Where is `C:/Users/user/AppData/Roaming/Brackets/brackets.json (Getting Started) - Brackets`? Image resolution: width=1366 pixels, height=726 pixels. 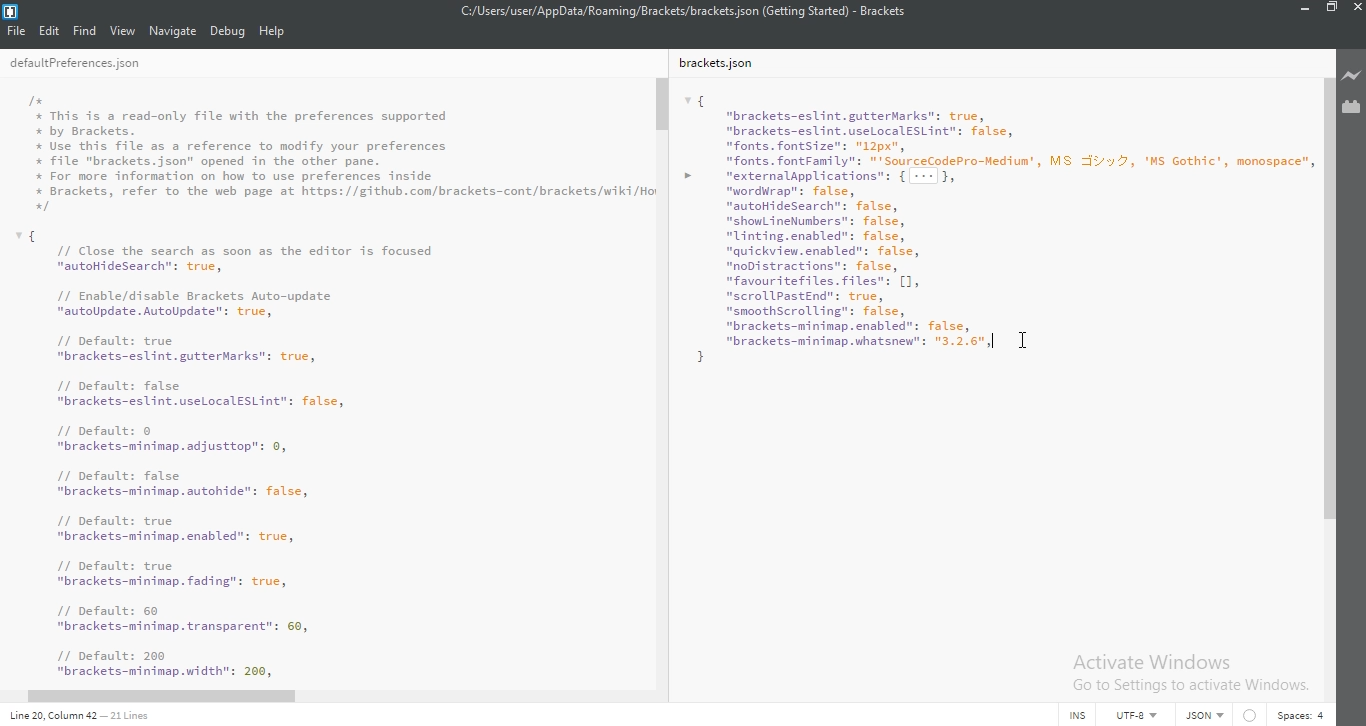 C:/Users/user/AppData/Roaming/Brackets/brackets.json (Getting Started) - Brackets is located at coordinates (687, 10).